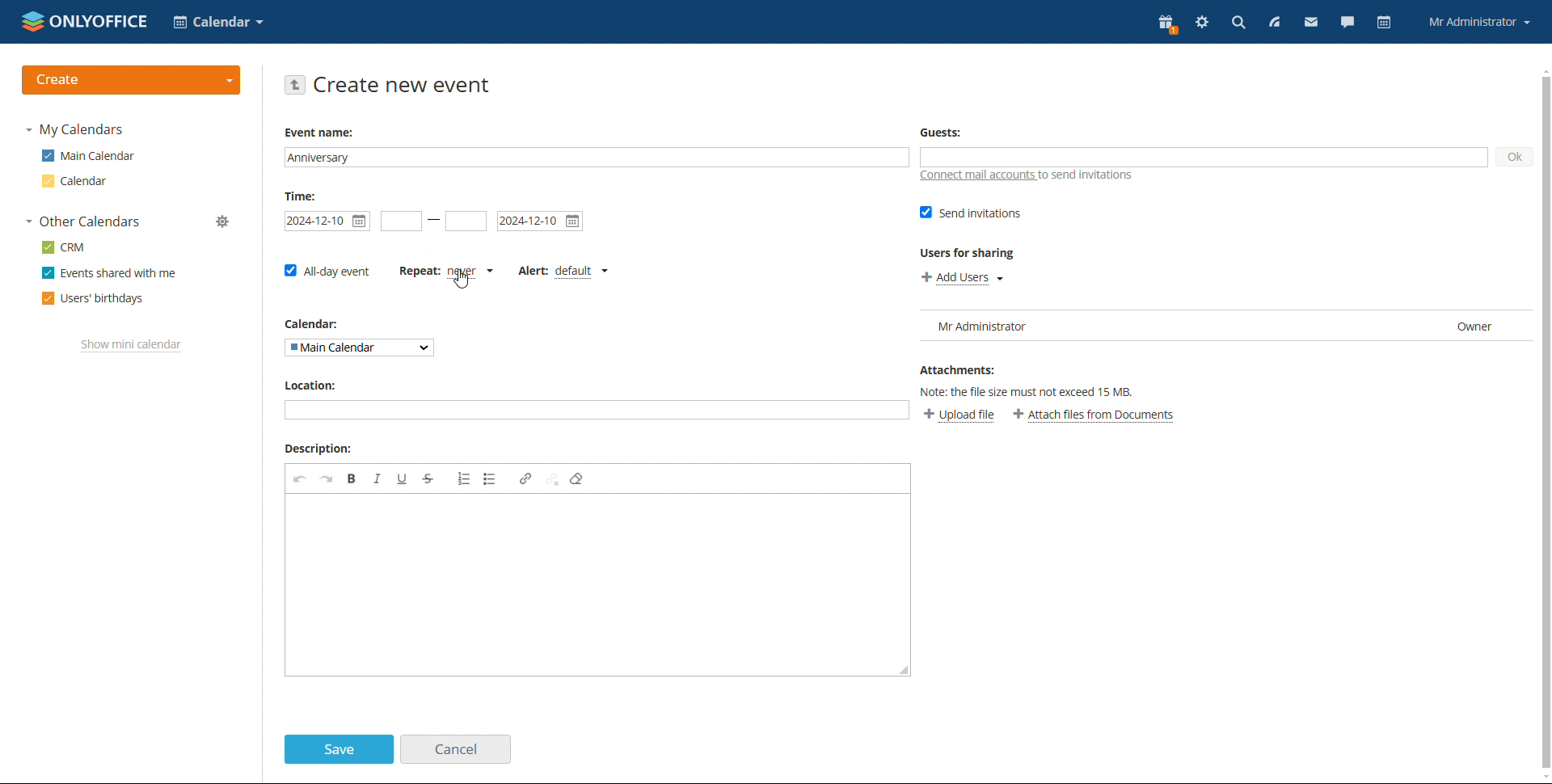 This screenshot has width=1552, height=784. I want to click on Attachments:, so click(959, 369).